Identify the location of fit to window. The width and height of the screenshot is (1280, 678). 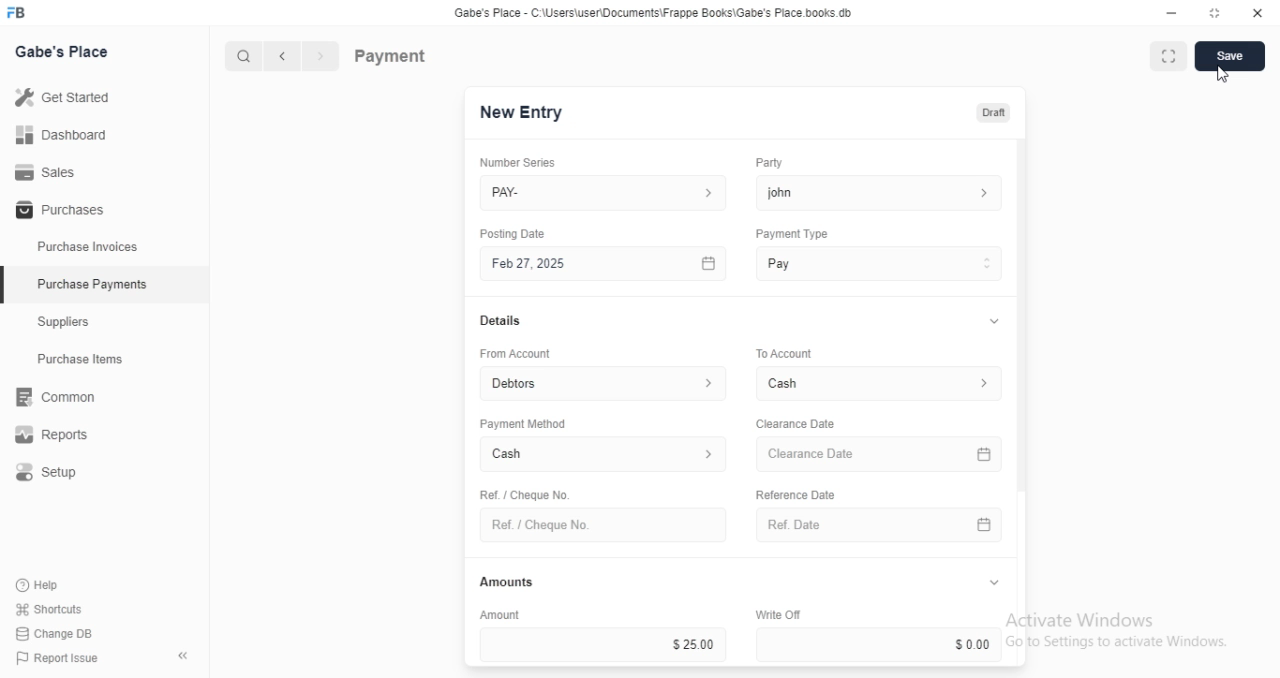
(1168, 58).